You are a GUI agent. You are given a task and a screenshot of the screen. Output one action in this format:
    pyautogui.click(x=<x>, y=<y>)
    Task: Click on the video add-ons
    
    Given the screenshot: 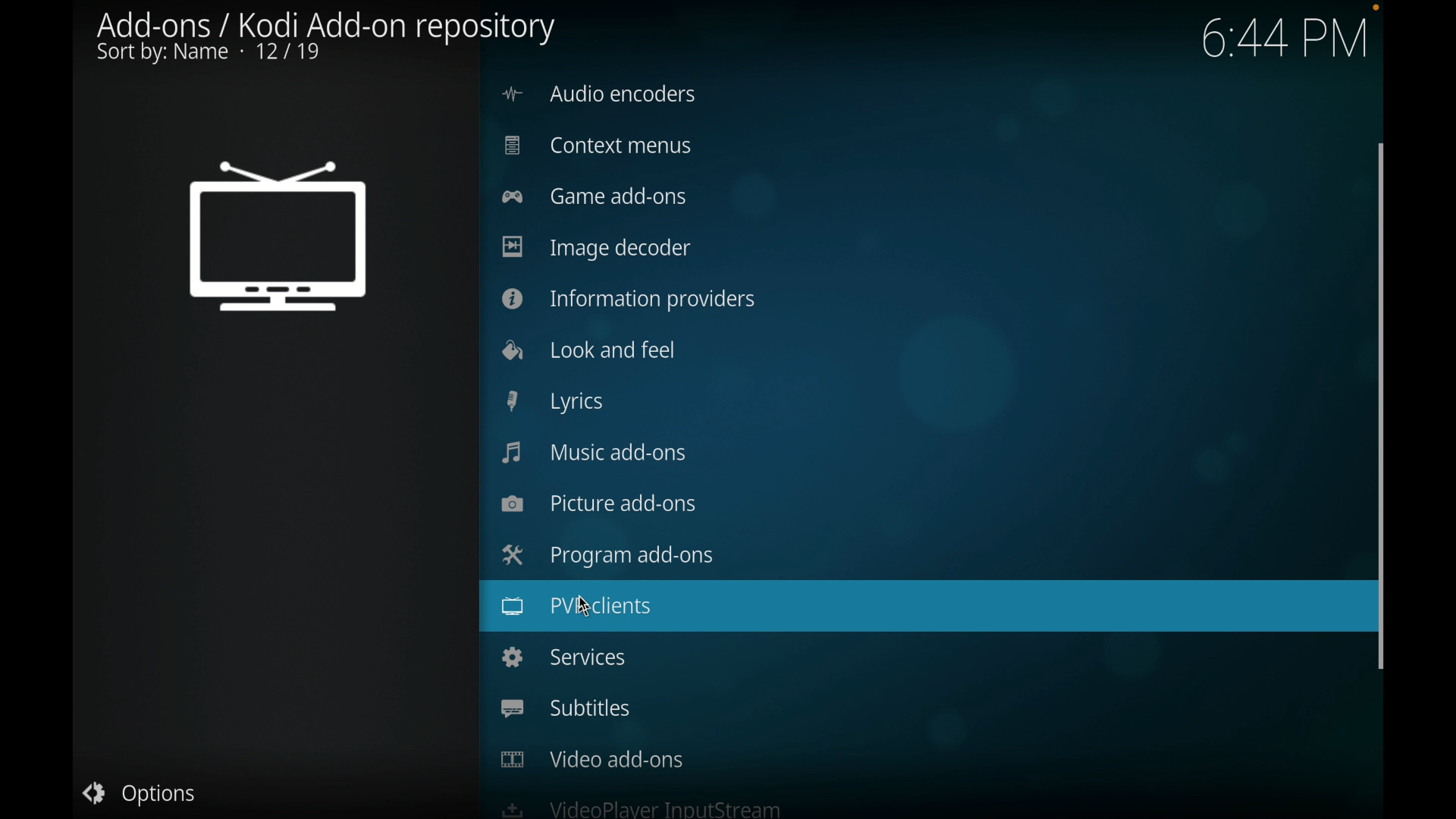 What is the action you would take?
    pyautogui.click(x=592, y=758)
    